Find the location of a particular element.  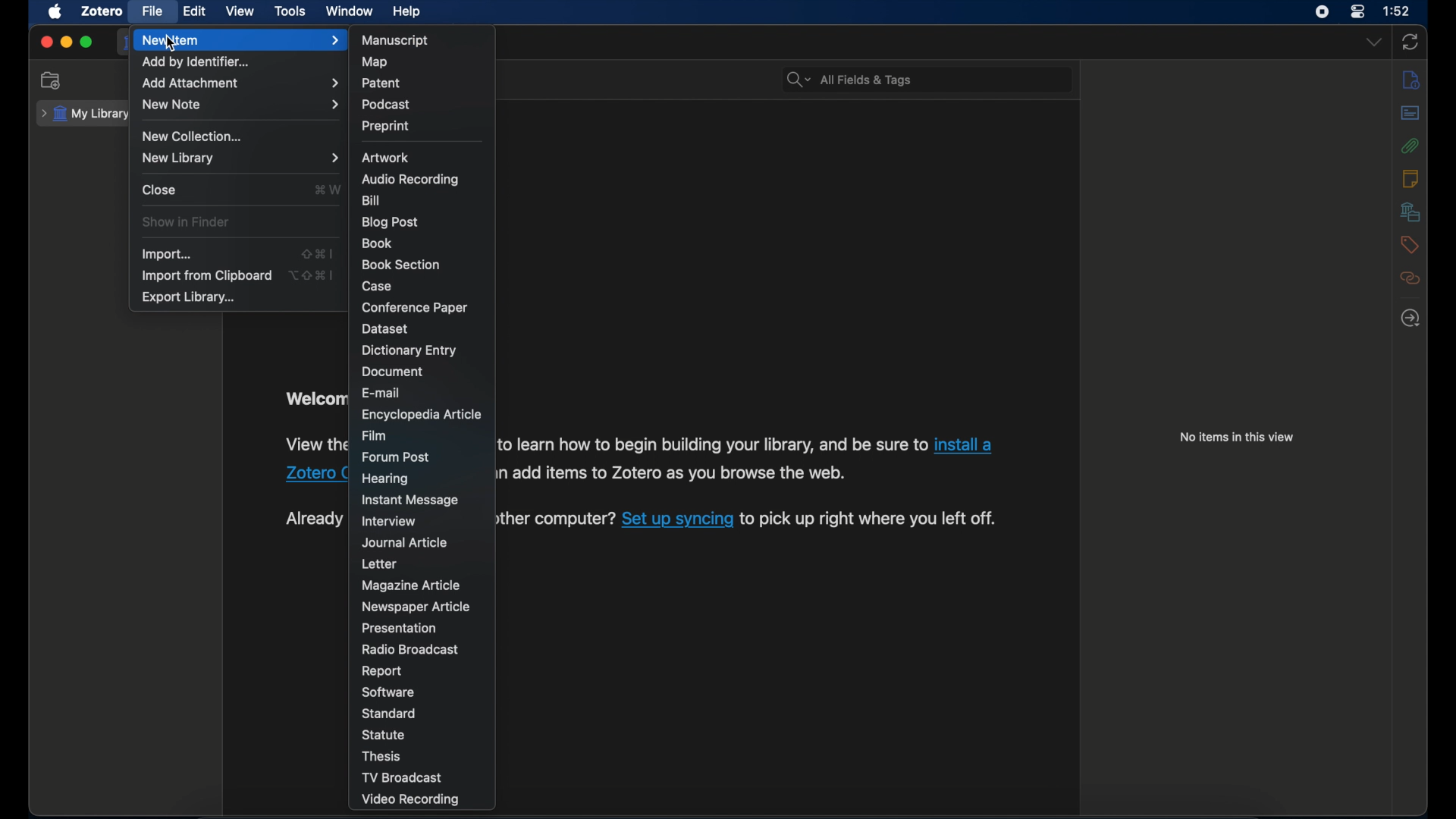

new note is located at coordinates (241, 104).